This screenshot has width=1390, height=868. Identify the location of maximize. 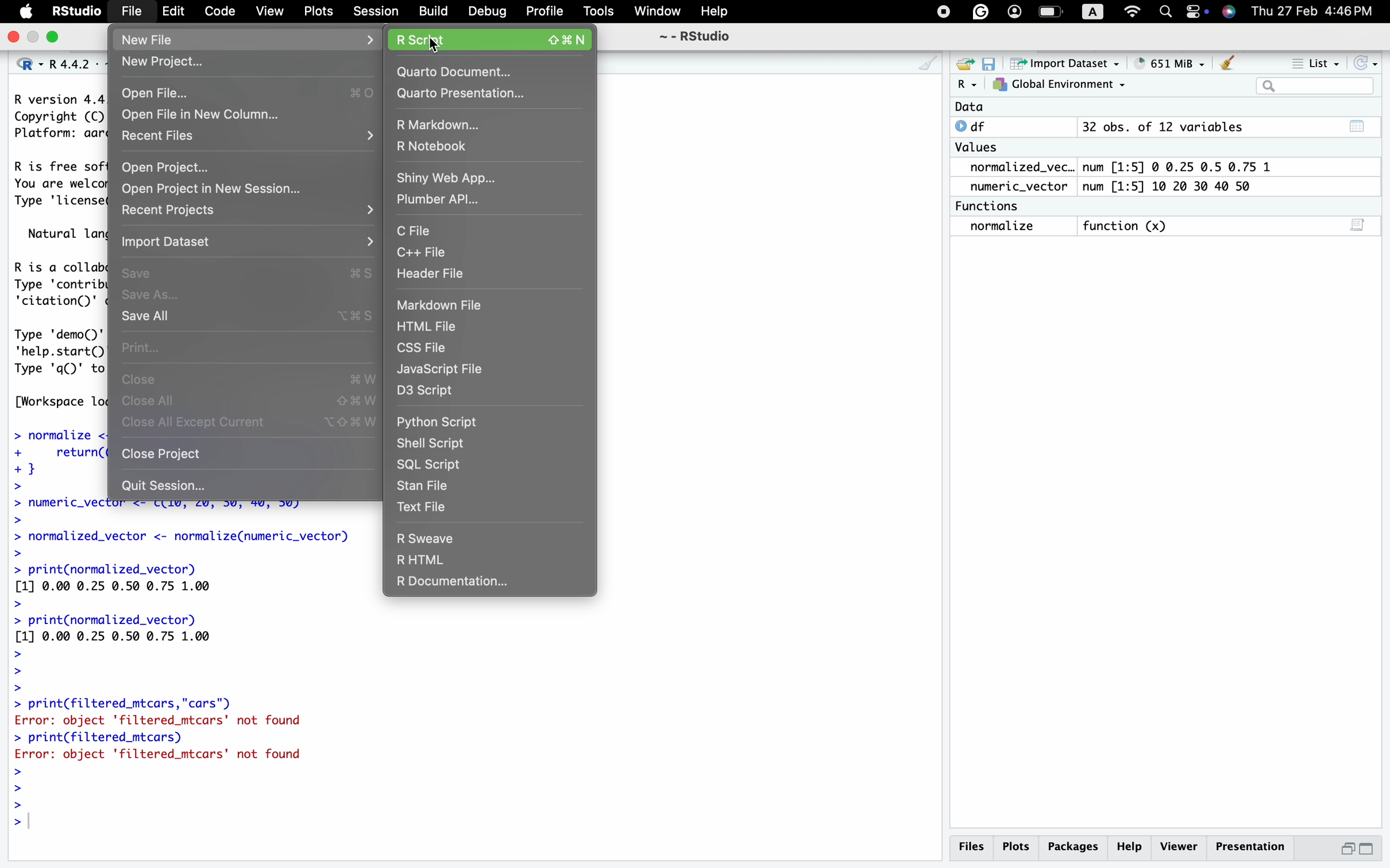
(56, 37).